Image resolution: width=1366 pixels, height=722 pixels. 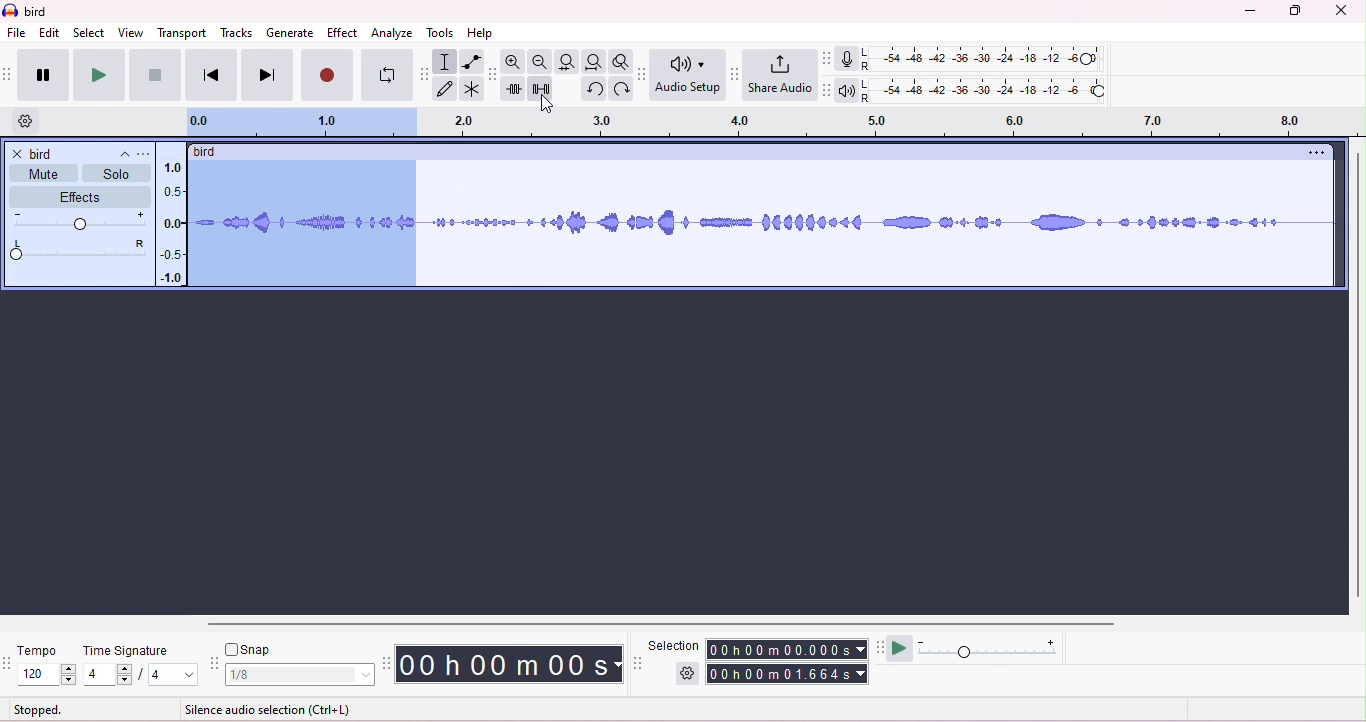 What do you see at coordinates (595, 89) in the screenshot?
I see `undo` at bounding box center [595, 89].